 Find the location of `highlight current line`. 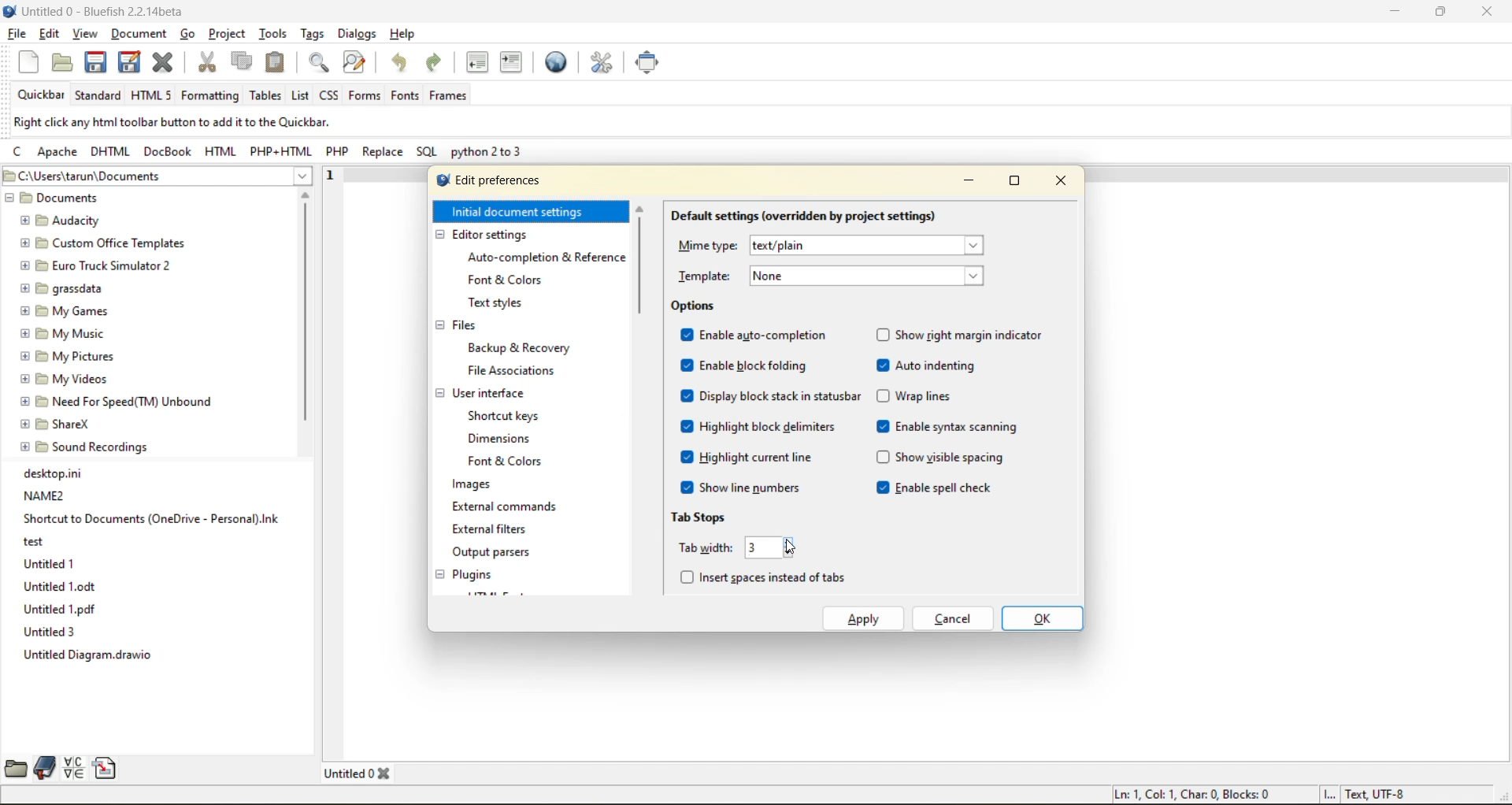

highlight current line is located at coordinates (747, 457).